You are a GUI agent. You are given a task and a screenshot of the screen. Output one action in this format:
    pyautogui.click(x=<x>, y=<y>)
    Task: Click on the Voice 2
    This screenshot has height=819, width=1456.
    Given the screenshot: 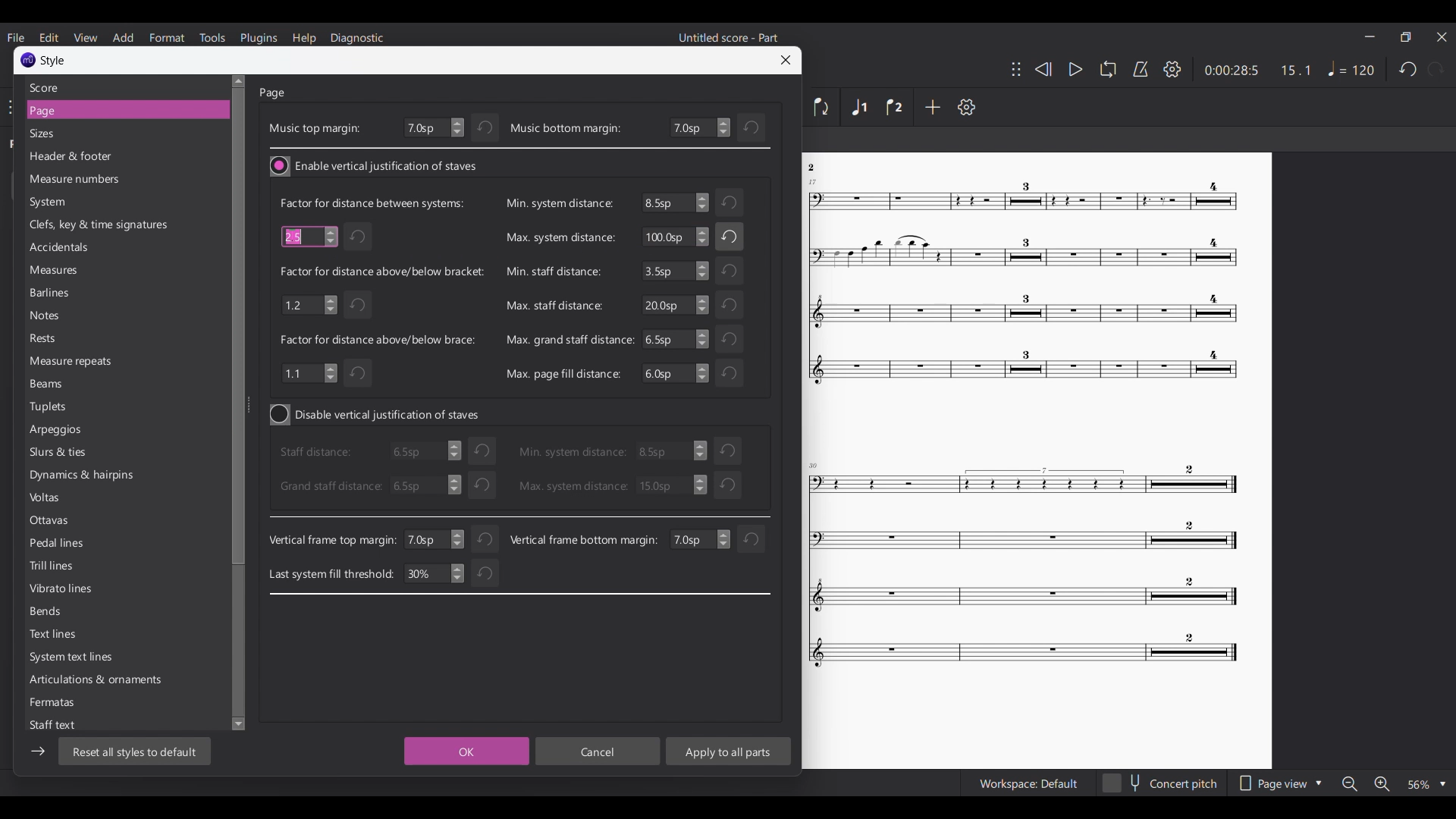 What is the action you would take?
    pyautogui.click(x=895, y=107)
    